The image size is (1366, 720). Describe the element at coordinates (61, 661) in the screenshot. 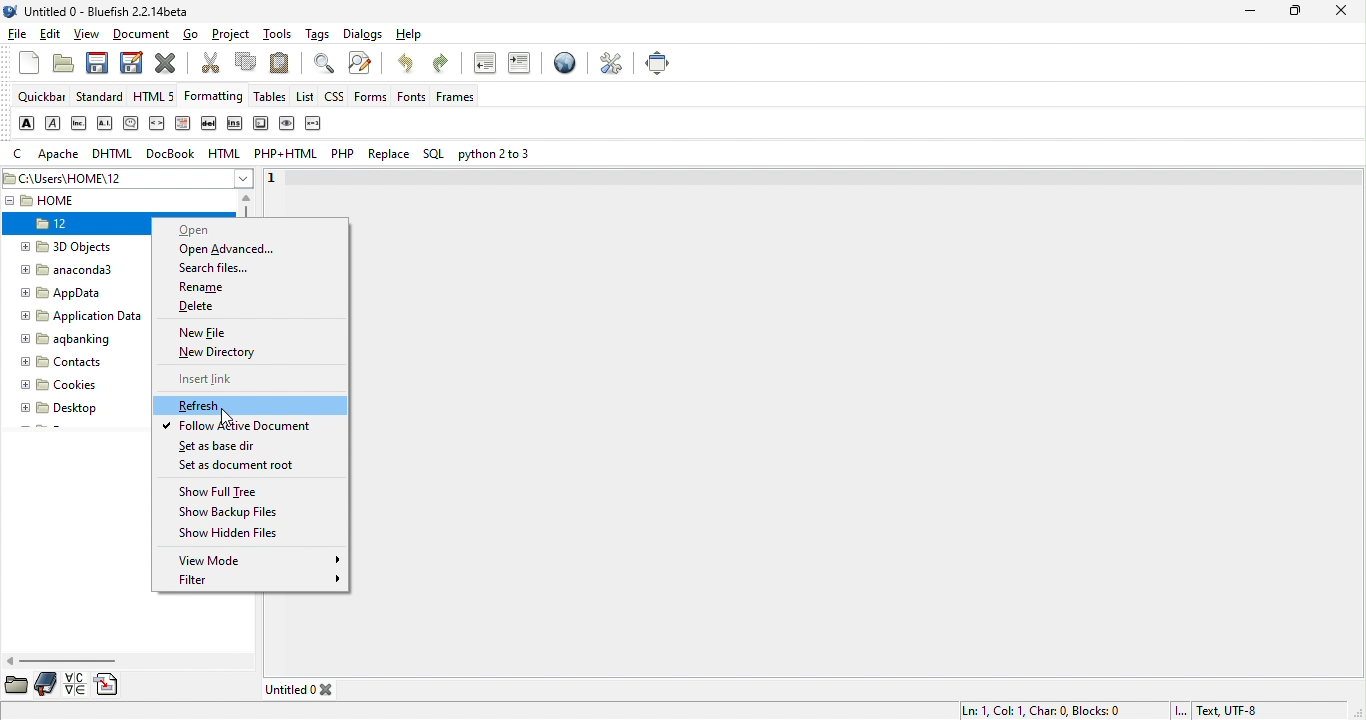

I see `horizontal scroll bar` at that location.